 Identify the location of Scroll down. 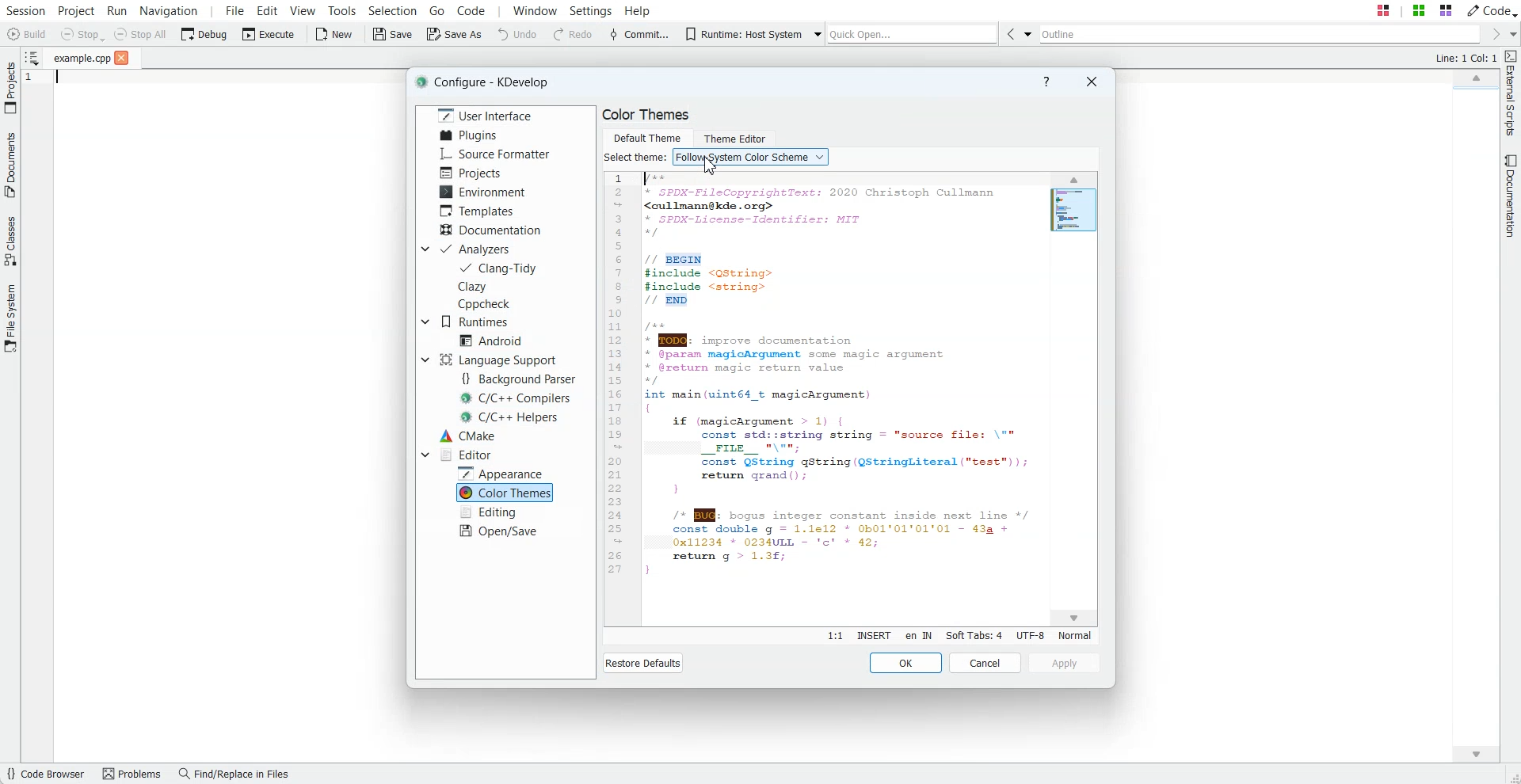
(1076, 618).